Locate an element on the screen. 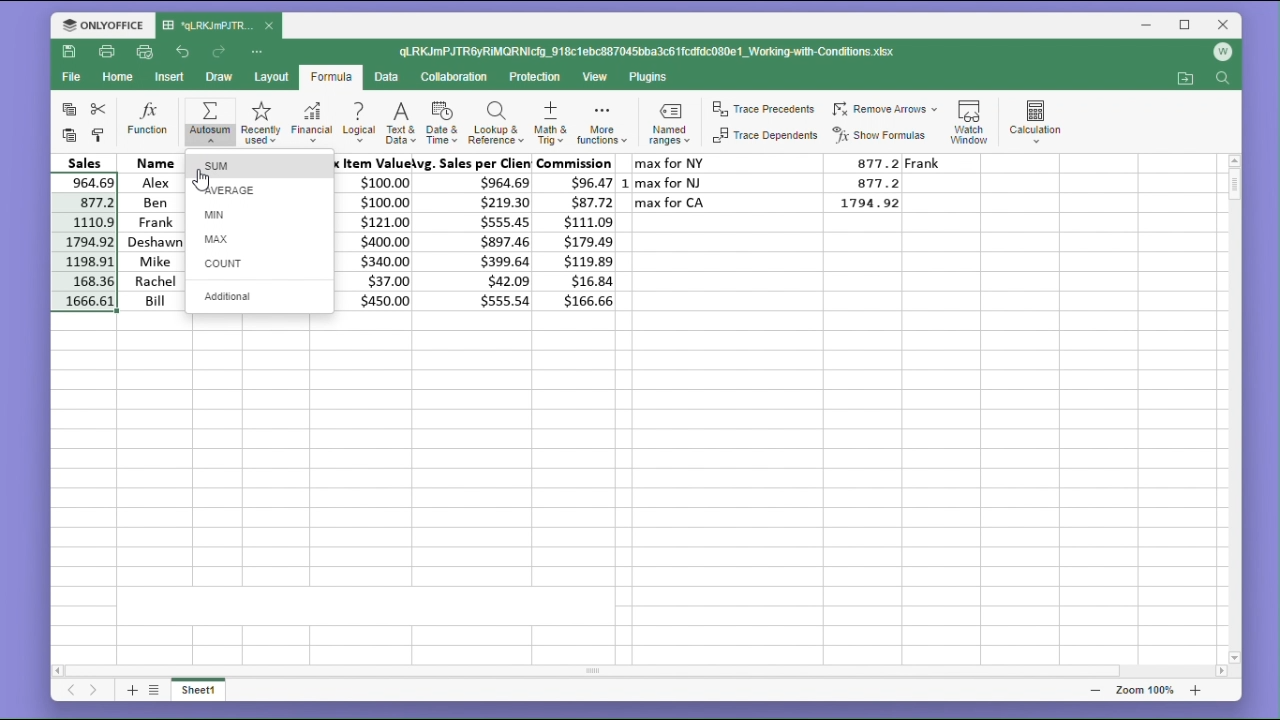 This screenshot has width=1280, height=720. layout is located at coordinates (270, 78).